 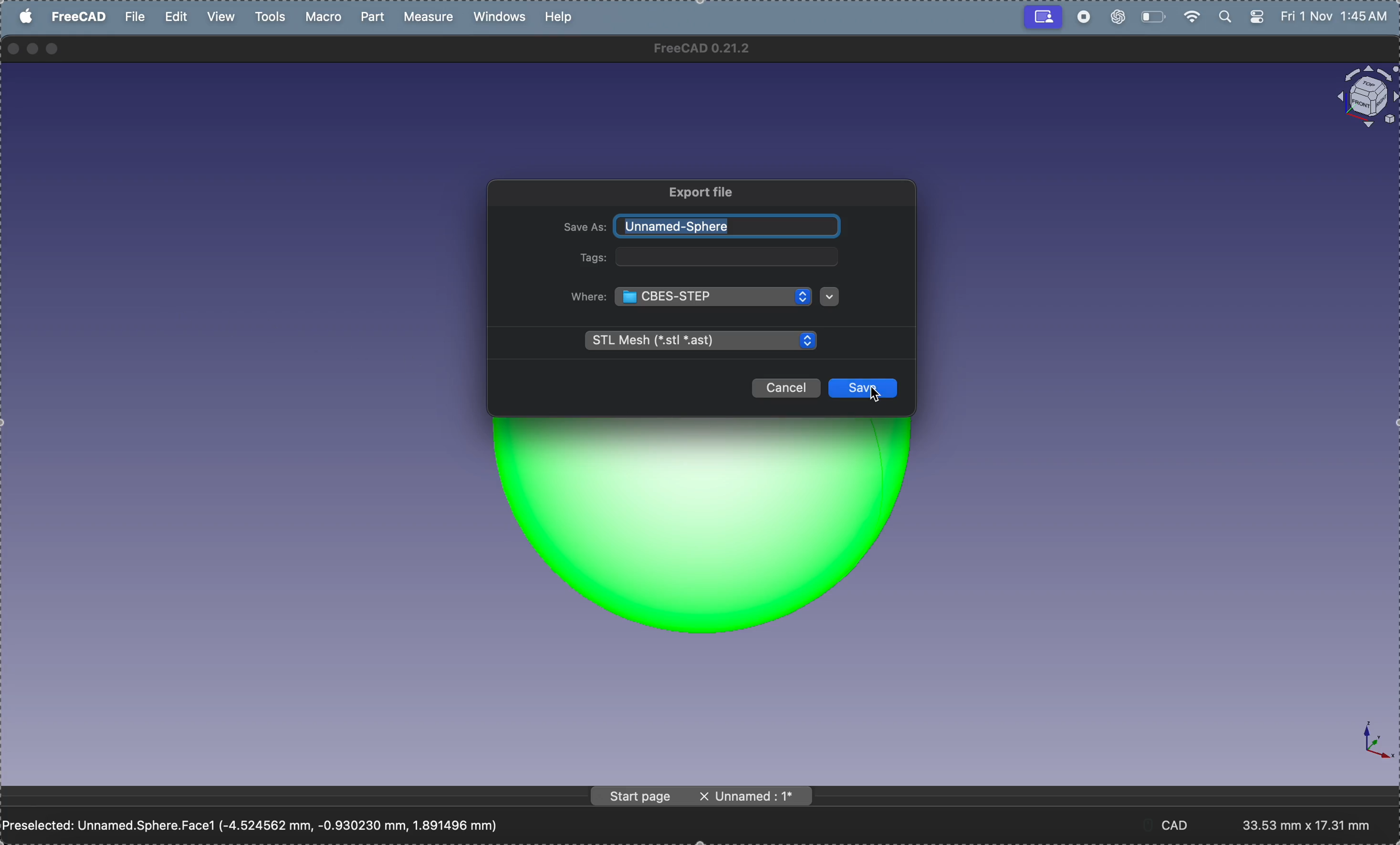 What do you see at coordinates (1153, 16) in the screenshot?
I see `battery` at bounding box center [1153, 16].